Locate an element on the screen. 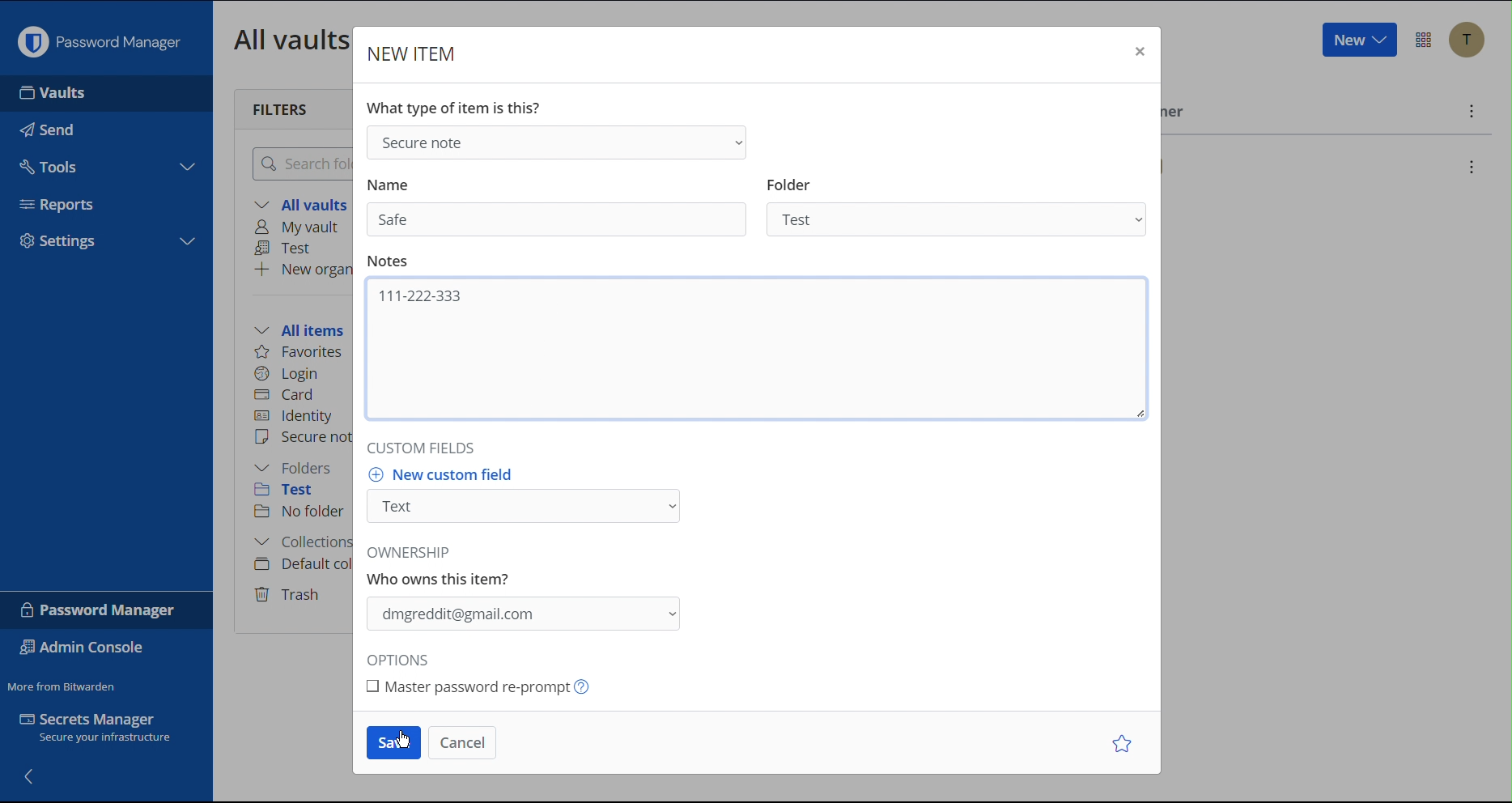 This screenshot has width=1512, height=803. Notes is located at coordinates (386, 261).